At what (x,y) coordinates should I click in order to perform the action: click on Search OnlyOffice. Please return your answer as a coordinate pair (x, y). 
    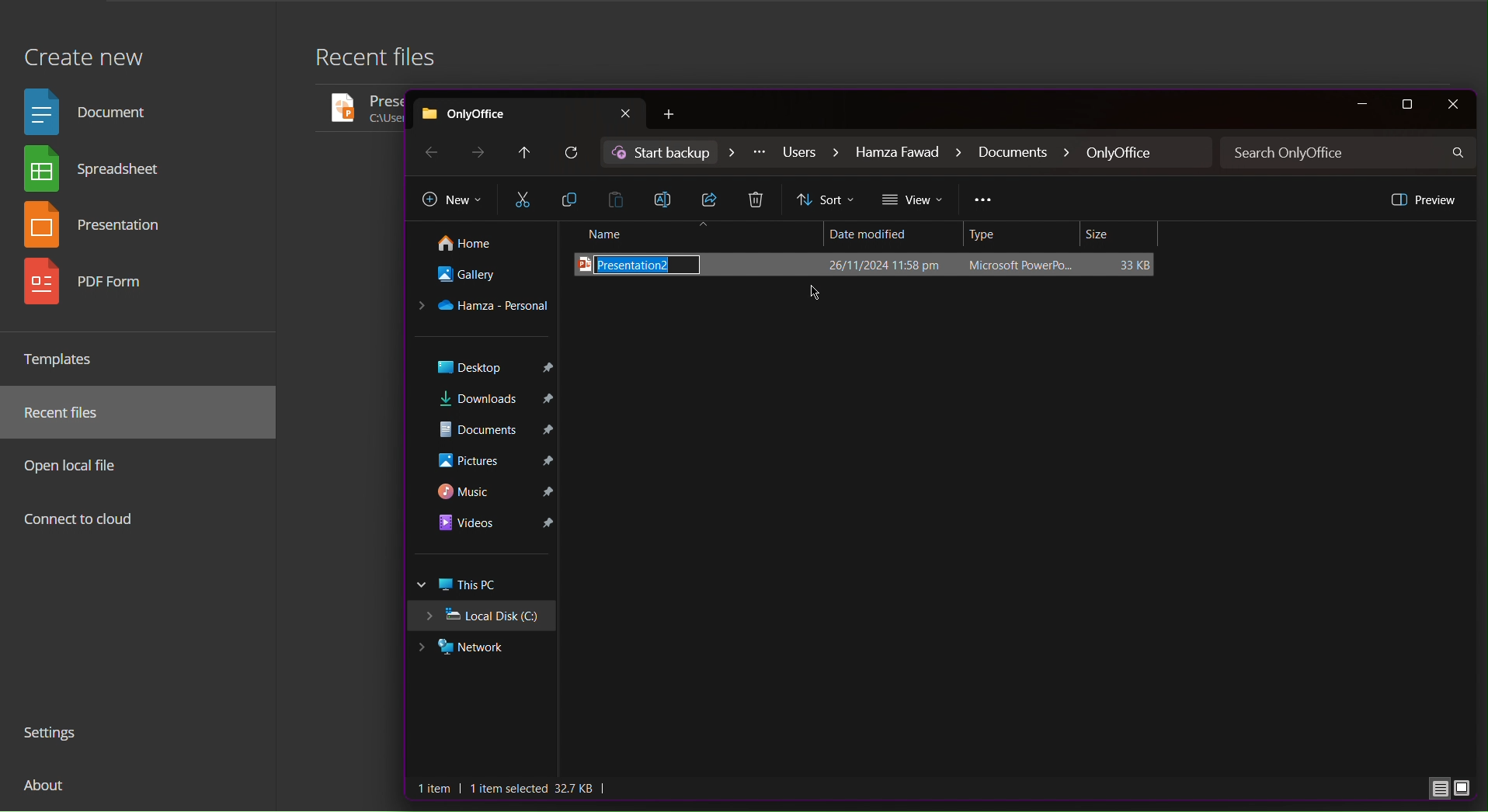
    Looking at the image, I should click on (1350, 153).